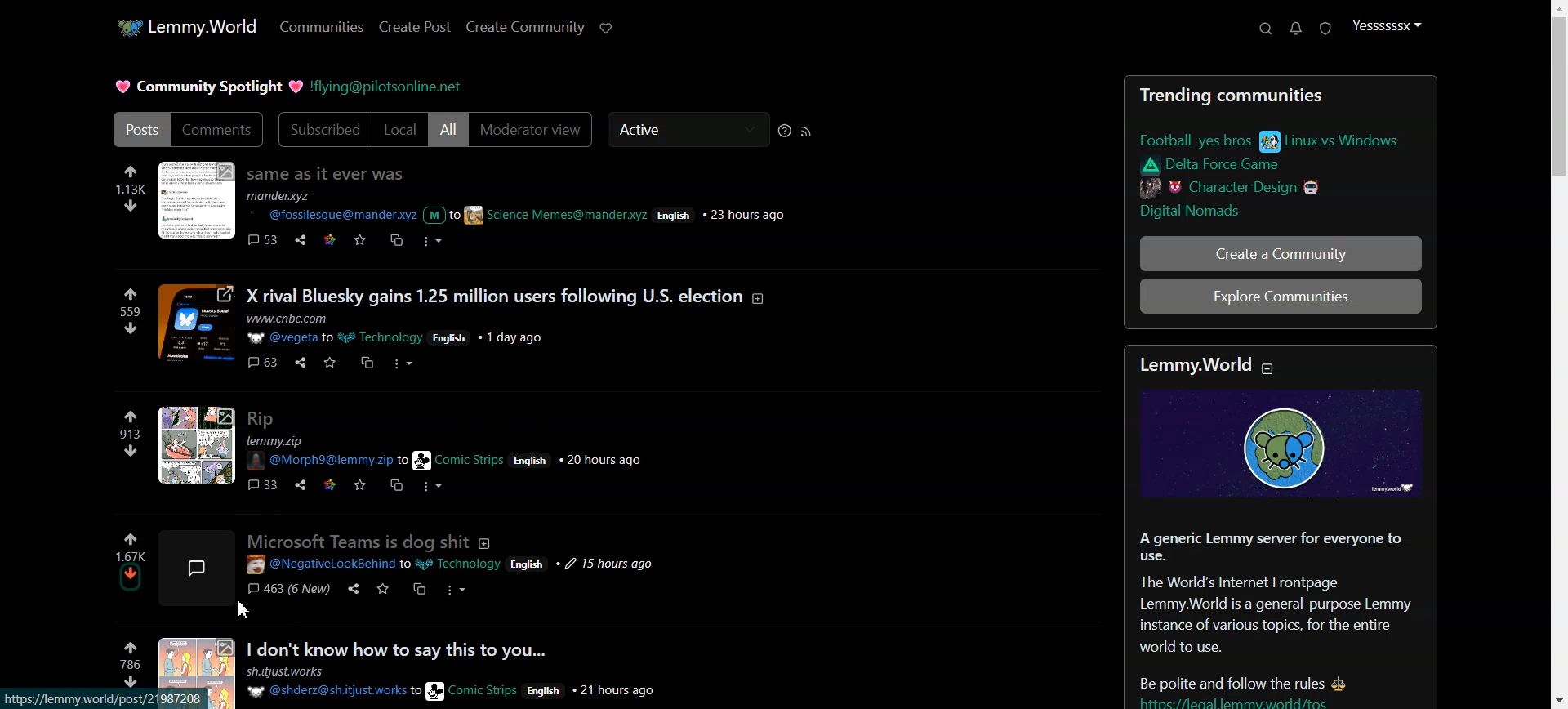 Image resolution: width=1568 pixels, height=709 pixels. What do you see at coordinates (130, 577) in the screenshot?
I see `Downvote` at bounding box center [130, 577].